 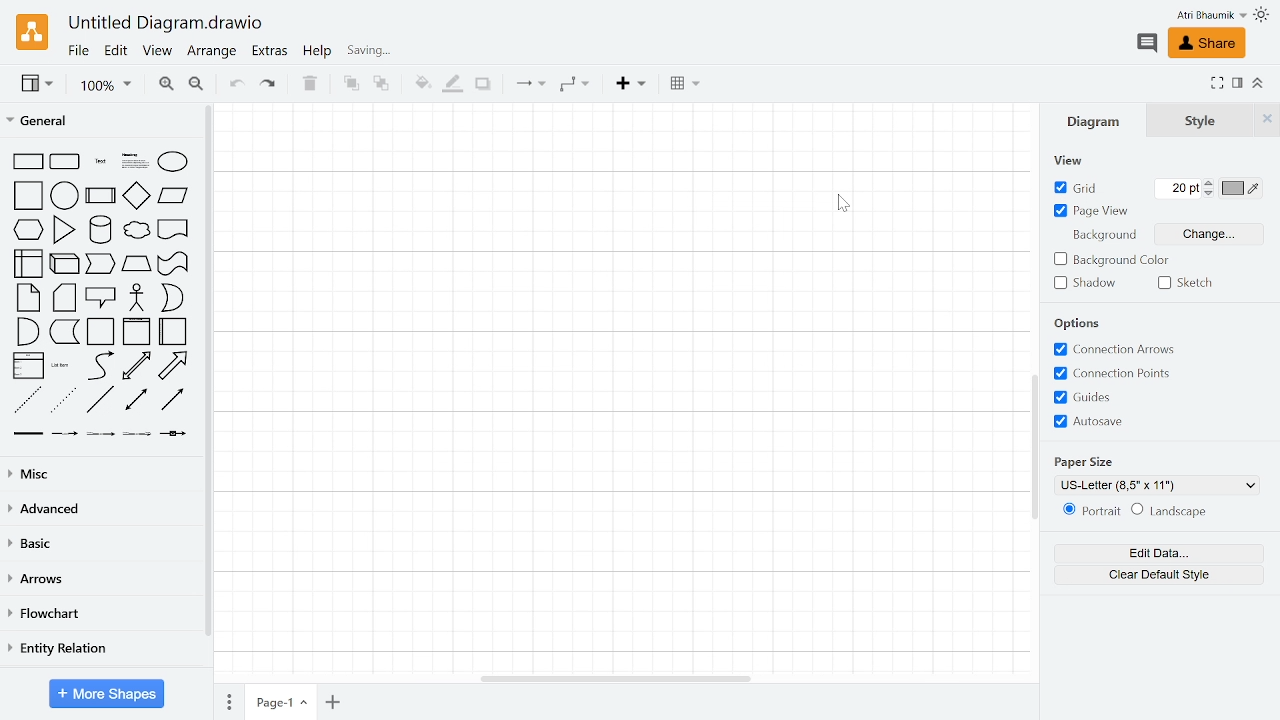 What do you see at coordinates (1238, 83) in the screenshot?
I see `Format` at bounding box center [1238, 83].